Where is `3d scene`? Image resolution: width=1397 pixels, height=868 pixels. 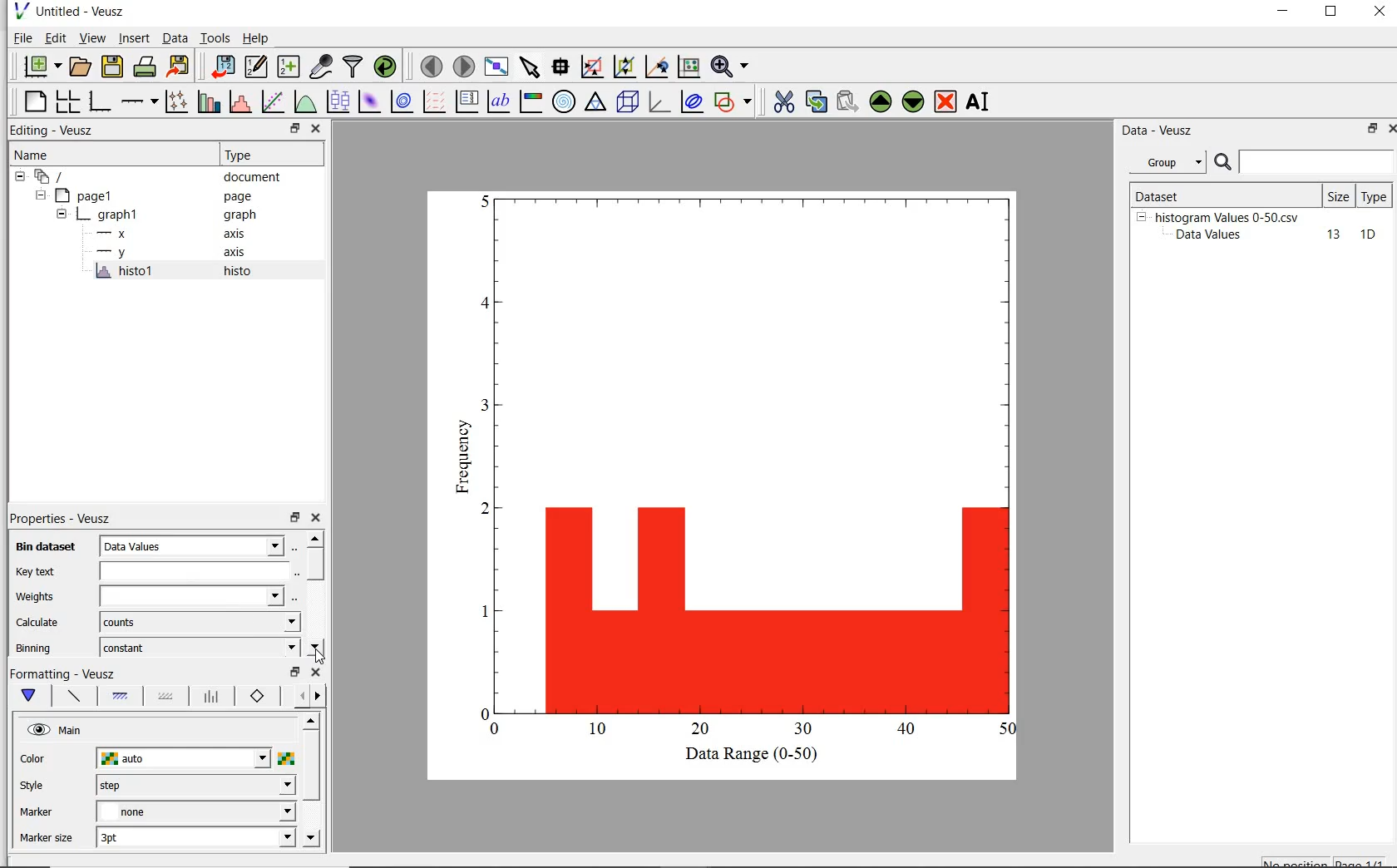
3d scene is located at coordinates (628, 103).